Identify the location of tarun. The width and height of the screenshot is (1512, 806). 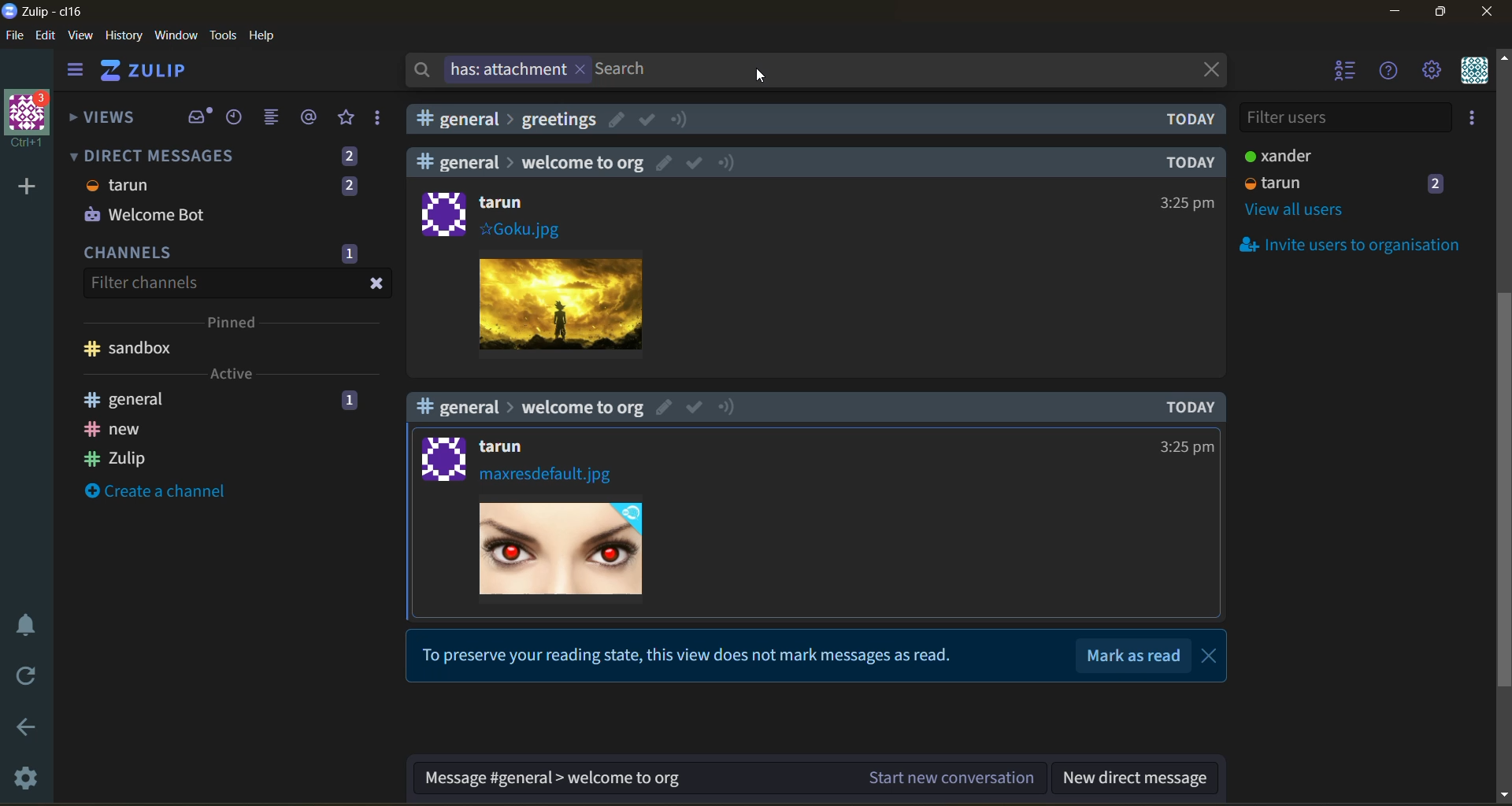
(507, 447).